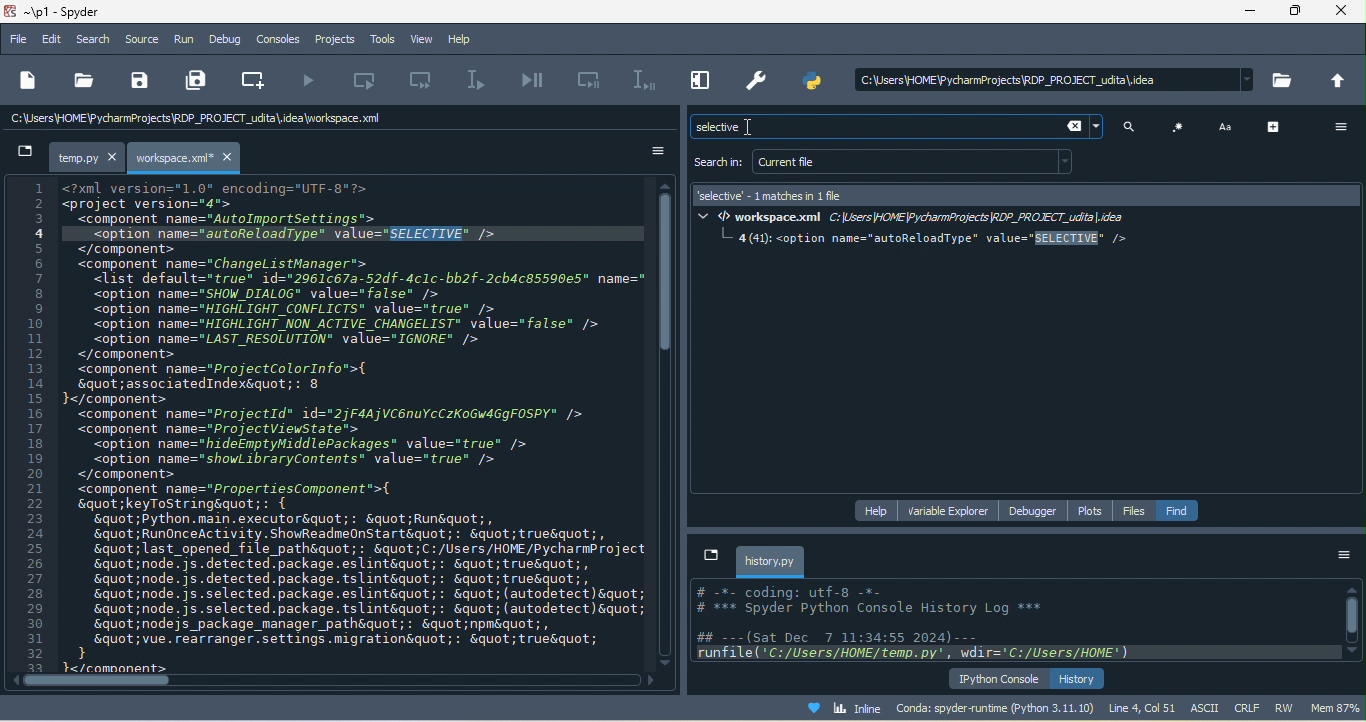  I want to click on conda spyder runtime, so click(995, 708).